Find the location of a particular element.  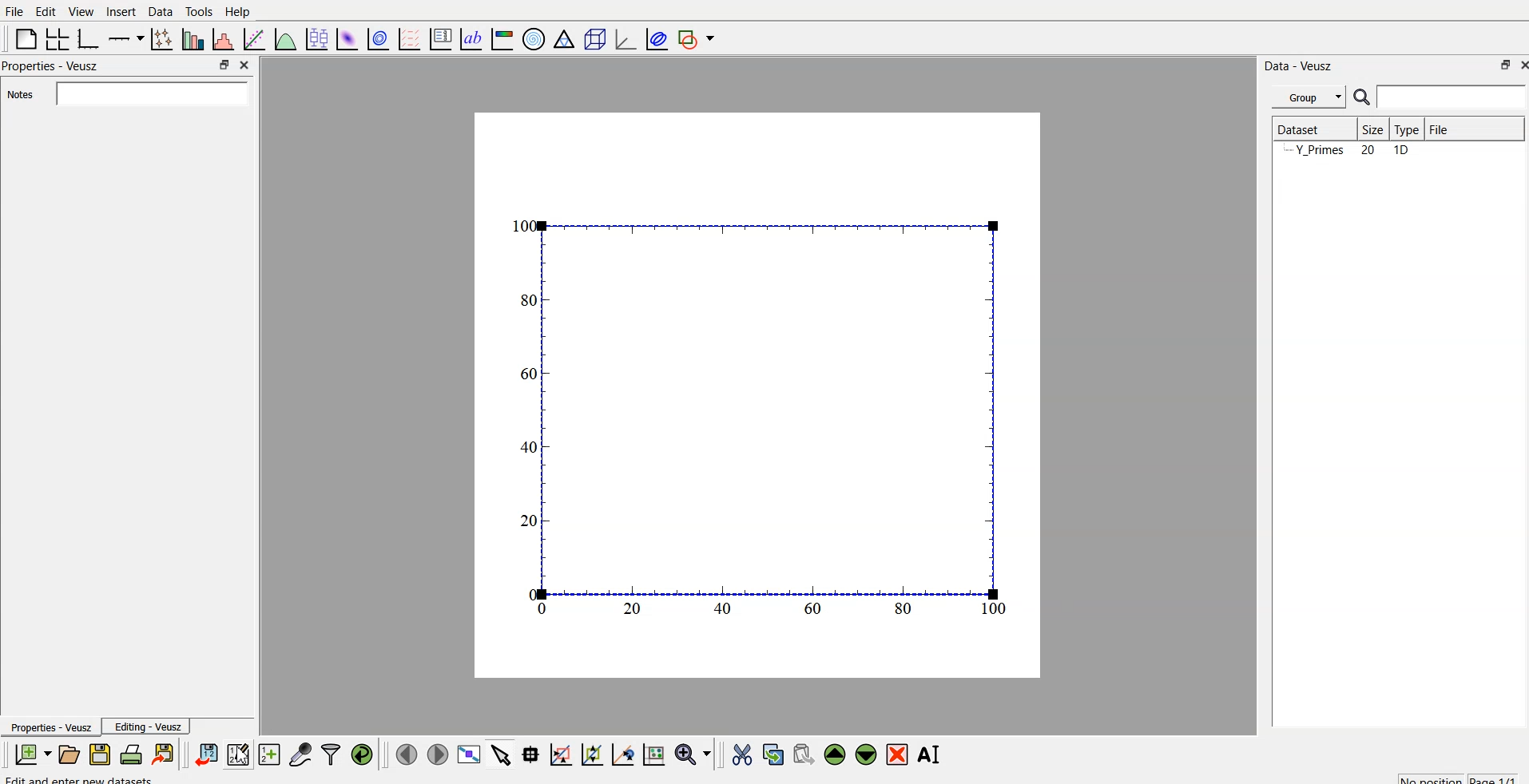

Group is located at coordinates (1311, 95).